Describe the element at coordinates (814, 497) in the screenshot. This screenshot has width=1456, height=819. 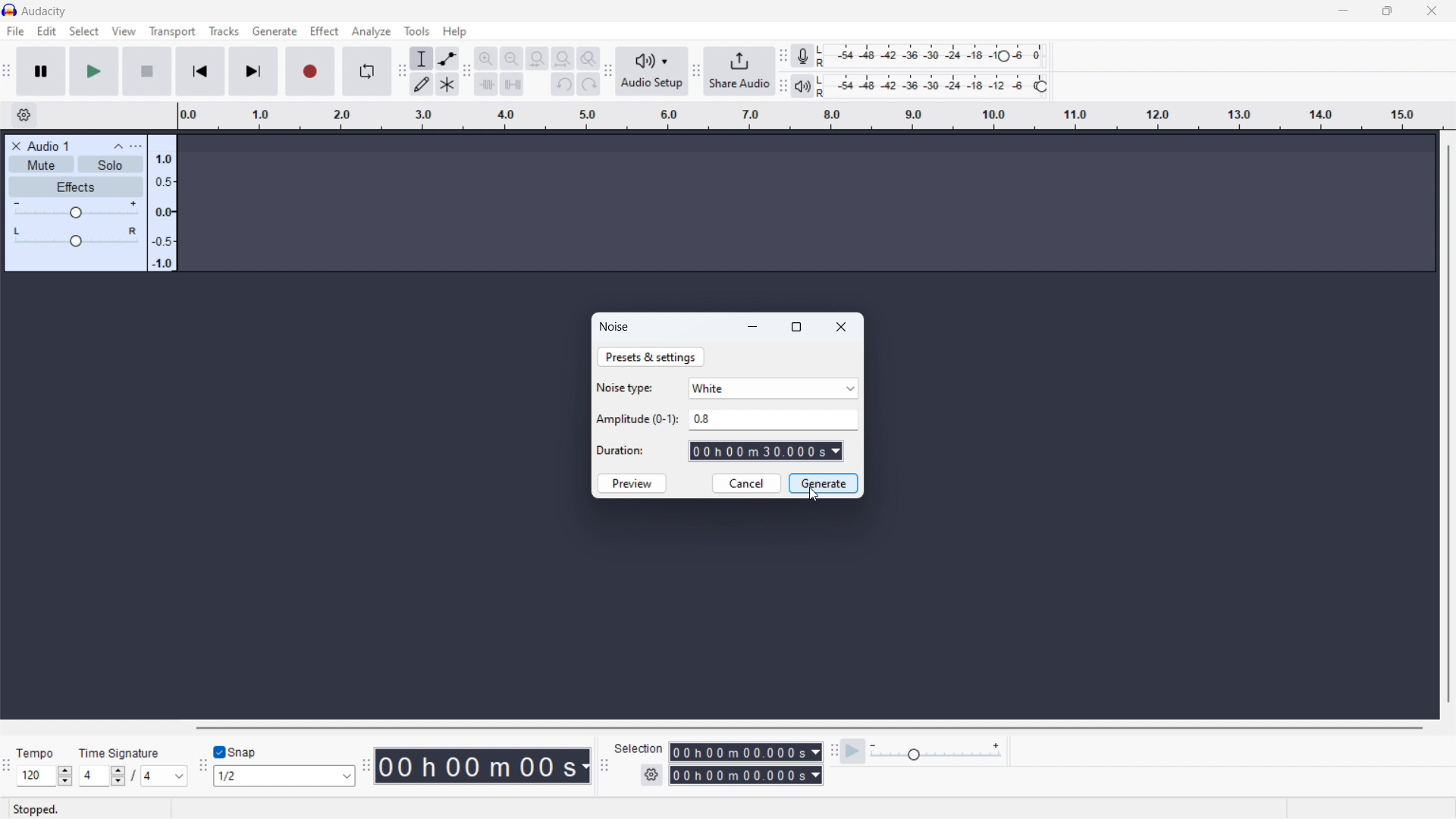
I see `cursor` at that location.